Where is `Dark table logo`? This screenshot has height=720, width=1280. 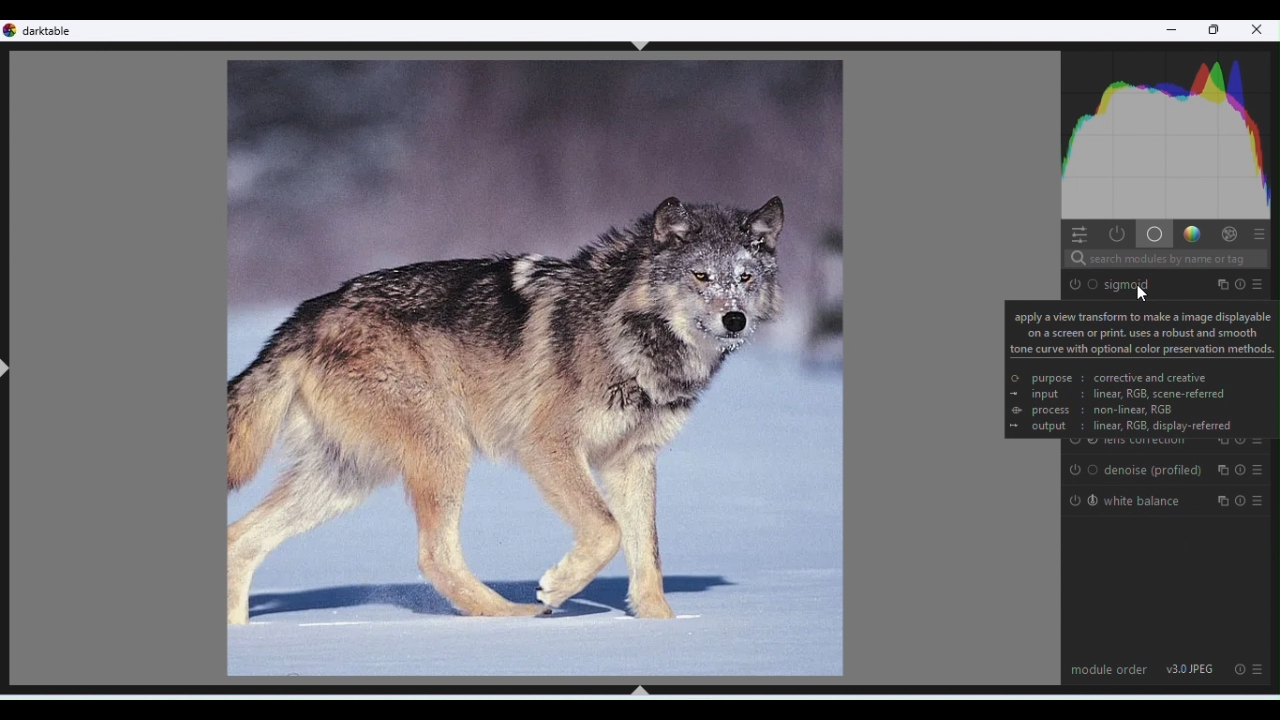 Dark table logo is located at coordinates (46, 31).